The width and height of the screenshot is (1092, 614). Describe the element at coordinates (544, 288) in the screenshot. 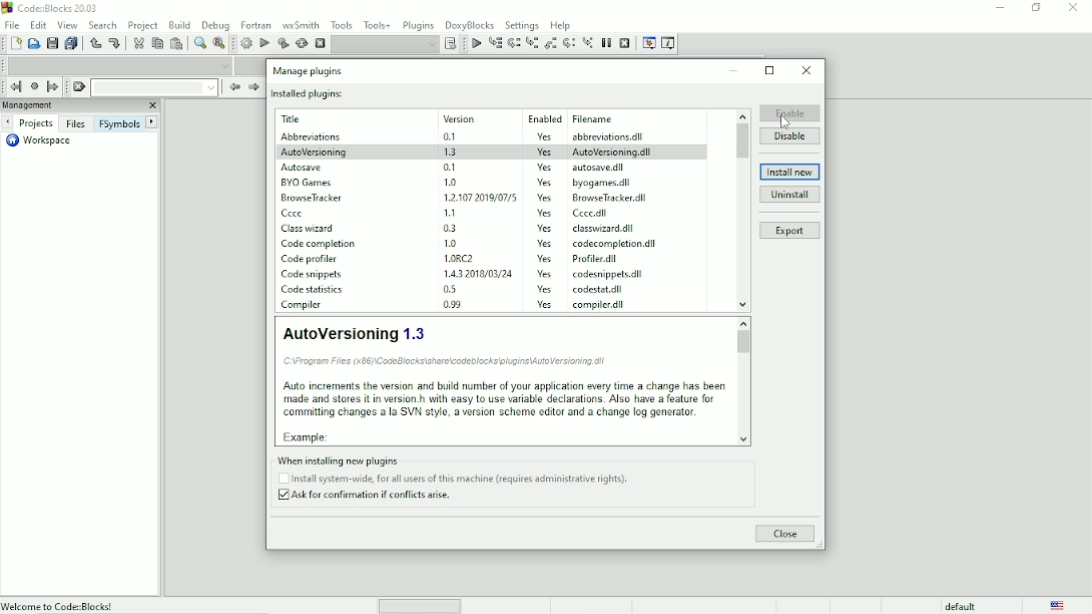

I see `Yes` at that location.